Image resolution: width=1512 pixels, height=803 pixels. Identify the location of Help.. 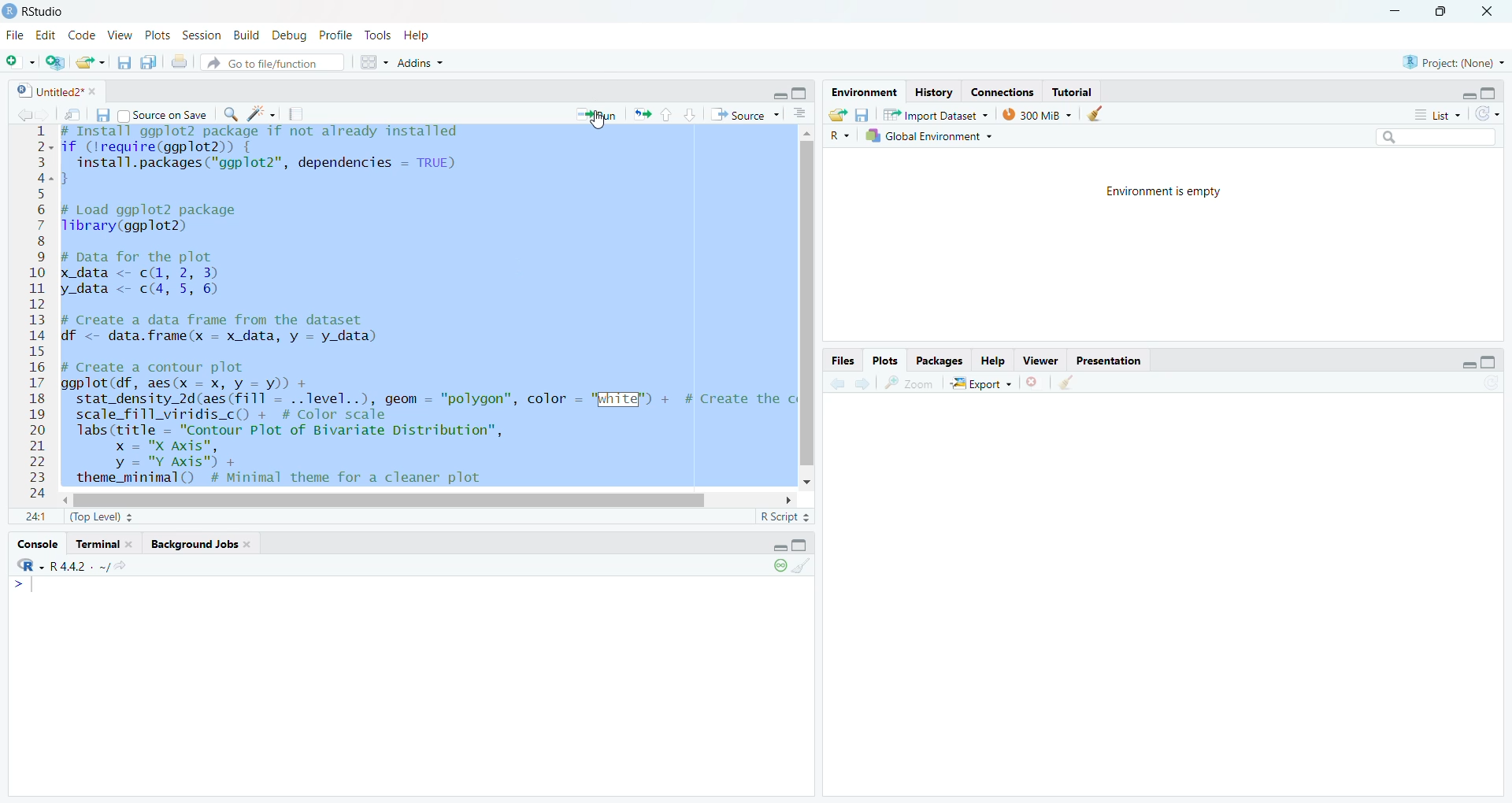
(995, 360).